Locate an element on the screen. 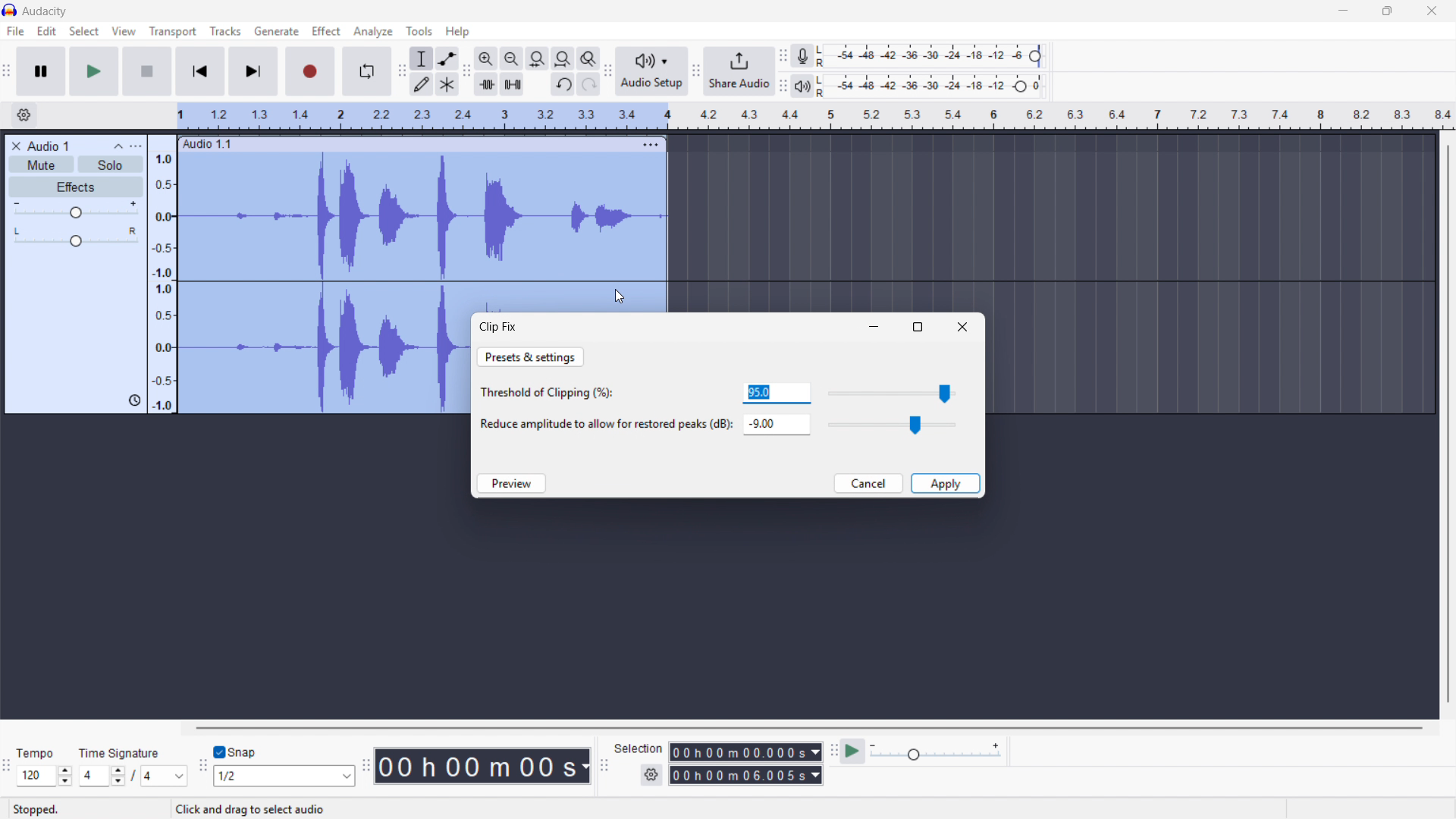  undo is located at coordinates (563, 85).